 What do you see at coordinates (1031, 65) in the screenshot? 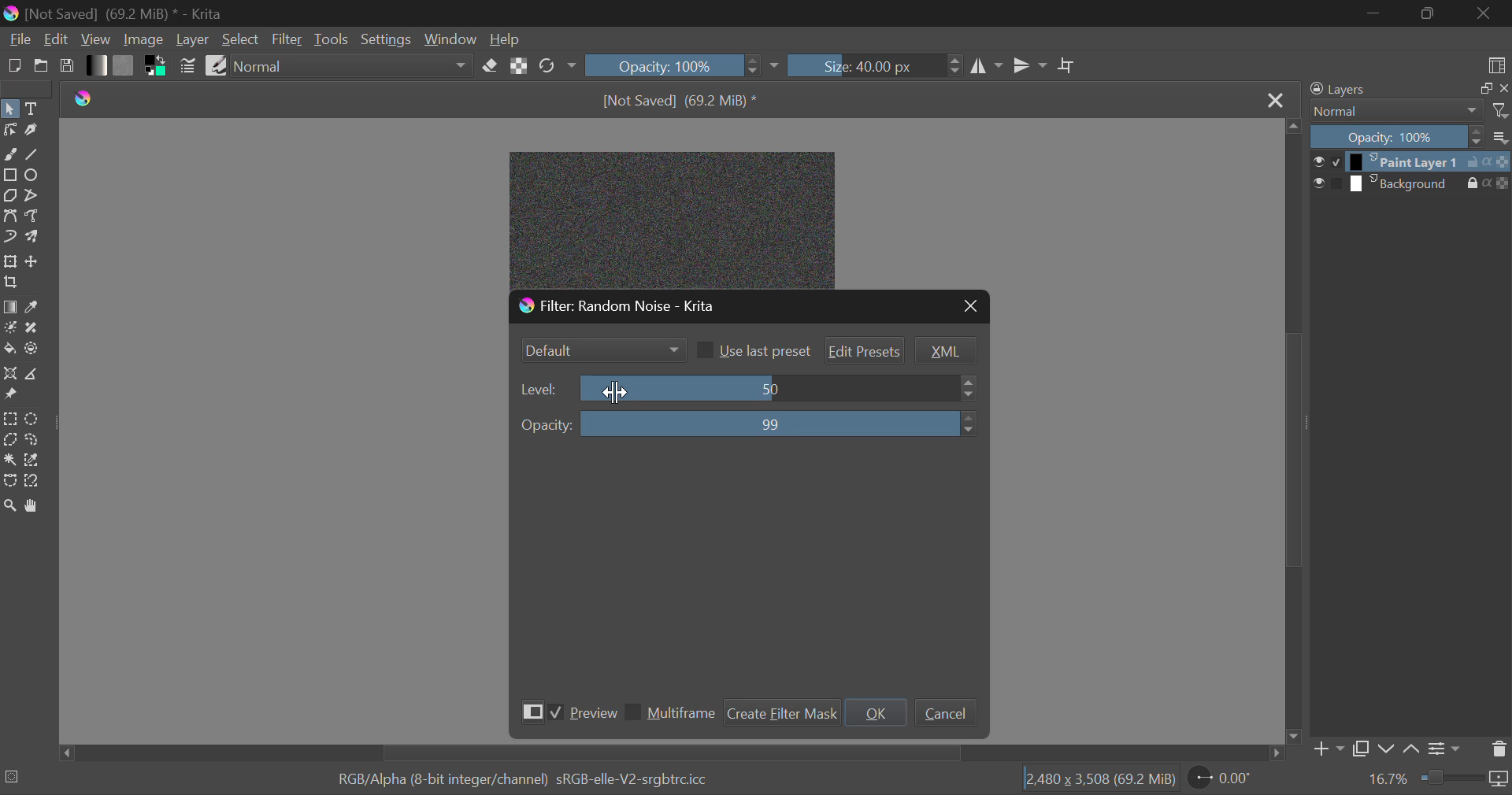
I see `Horizontal Mirror Flip` at bounding box center [1031, 65].